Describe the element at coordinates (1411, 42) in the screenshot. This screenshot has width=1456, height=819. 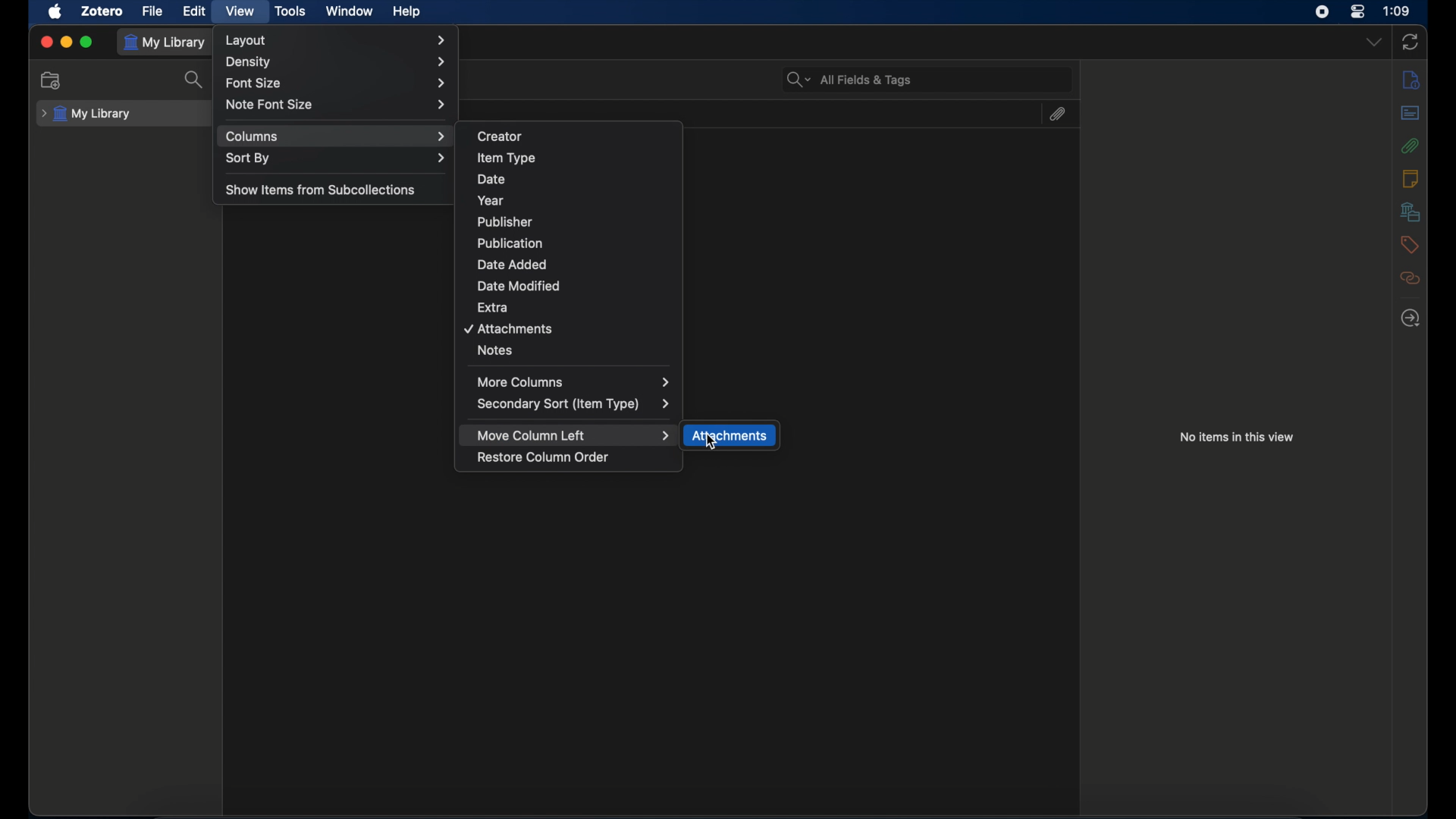
I see `sync` at that location.